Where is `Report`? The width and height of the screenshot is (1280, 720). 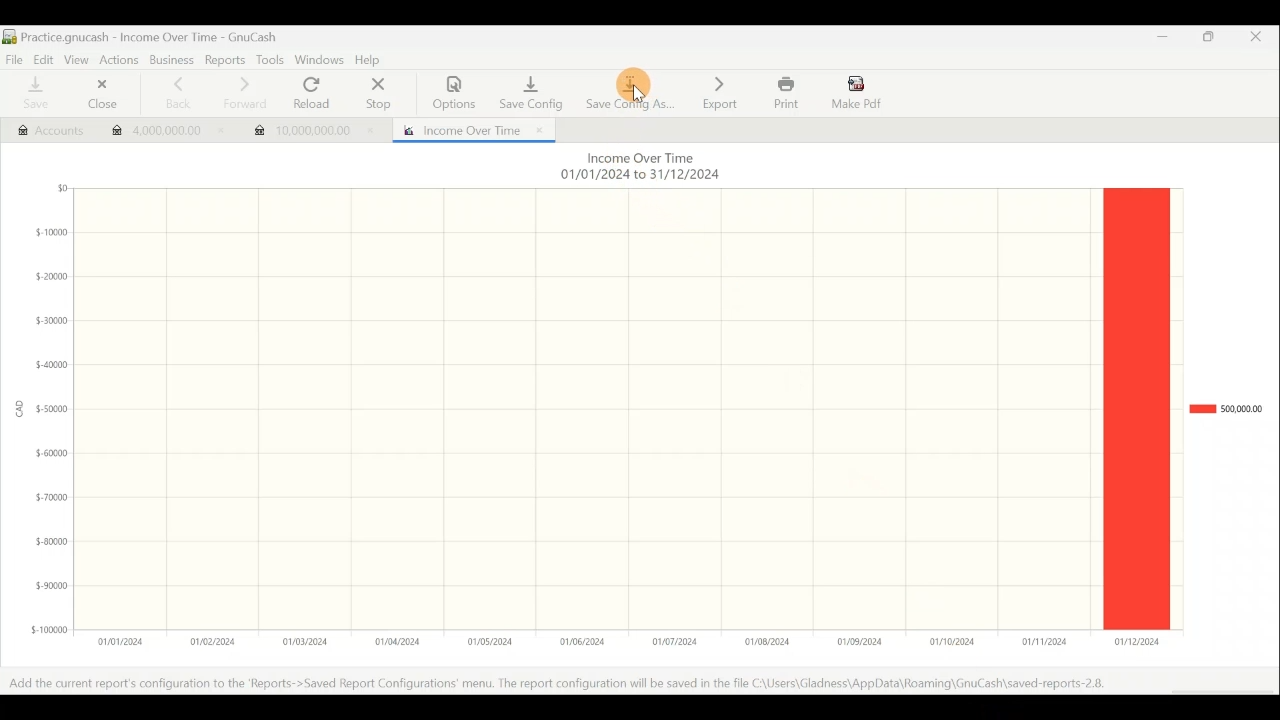 Report is located at coordinates (469, 128).